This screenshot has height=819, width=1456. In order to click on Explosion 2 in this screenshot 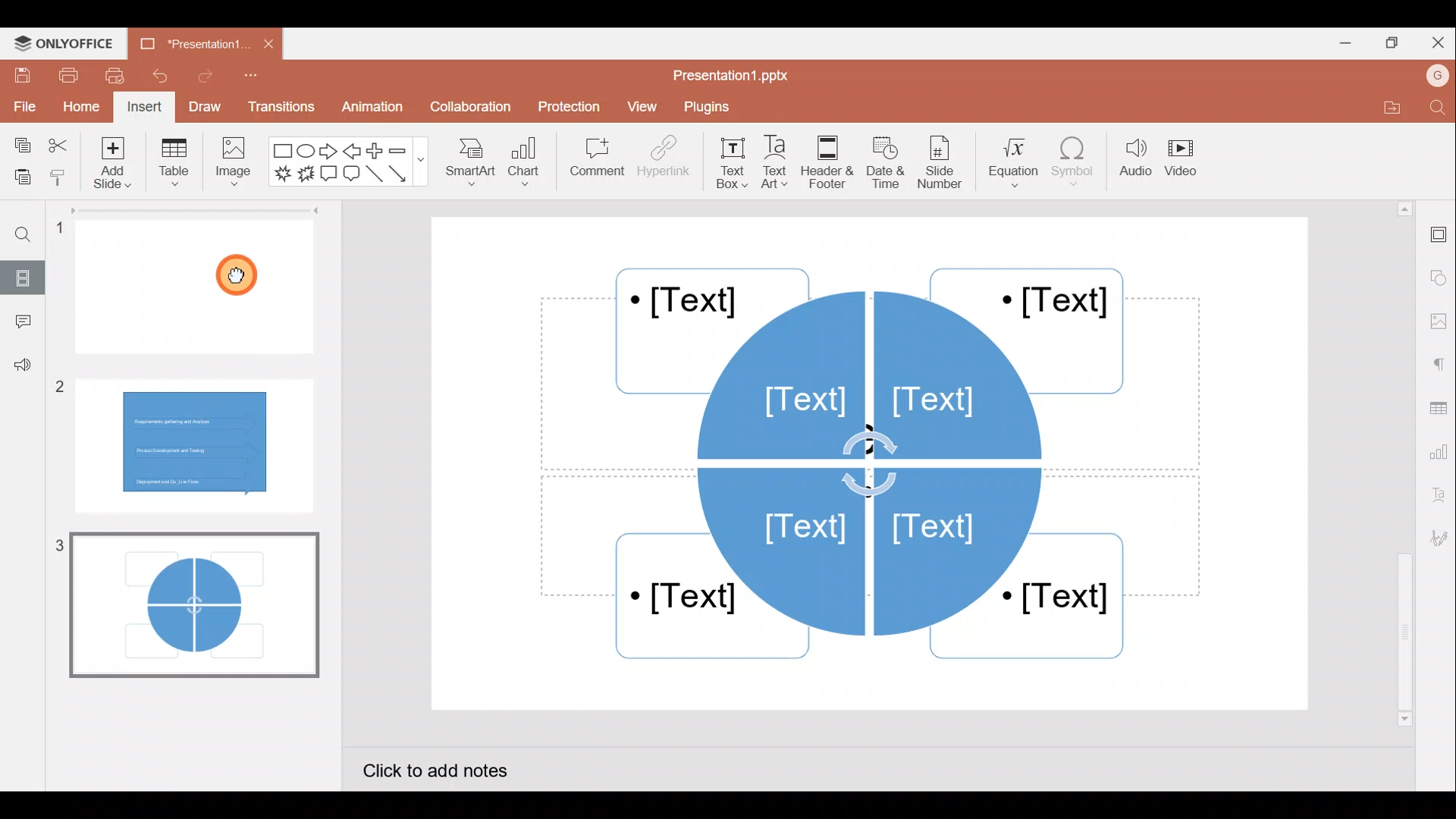, I will do `click(305, 175)`.